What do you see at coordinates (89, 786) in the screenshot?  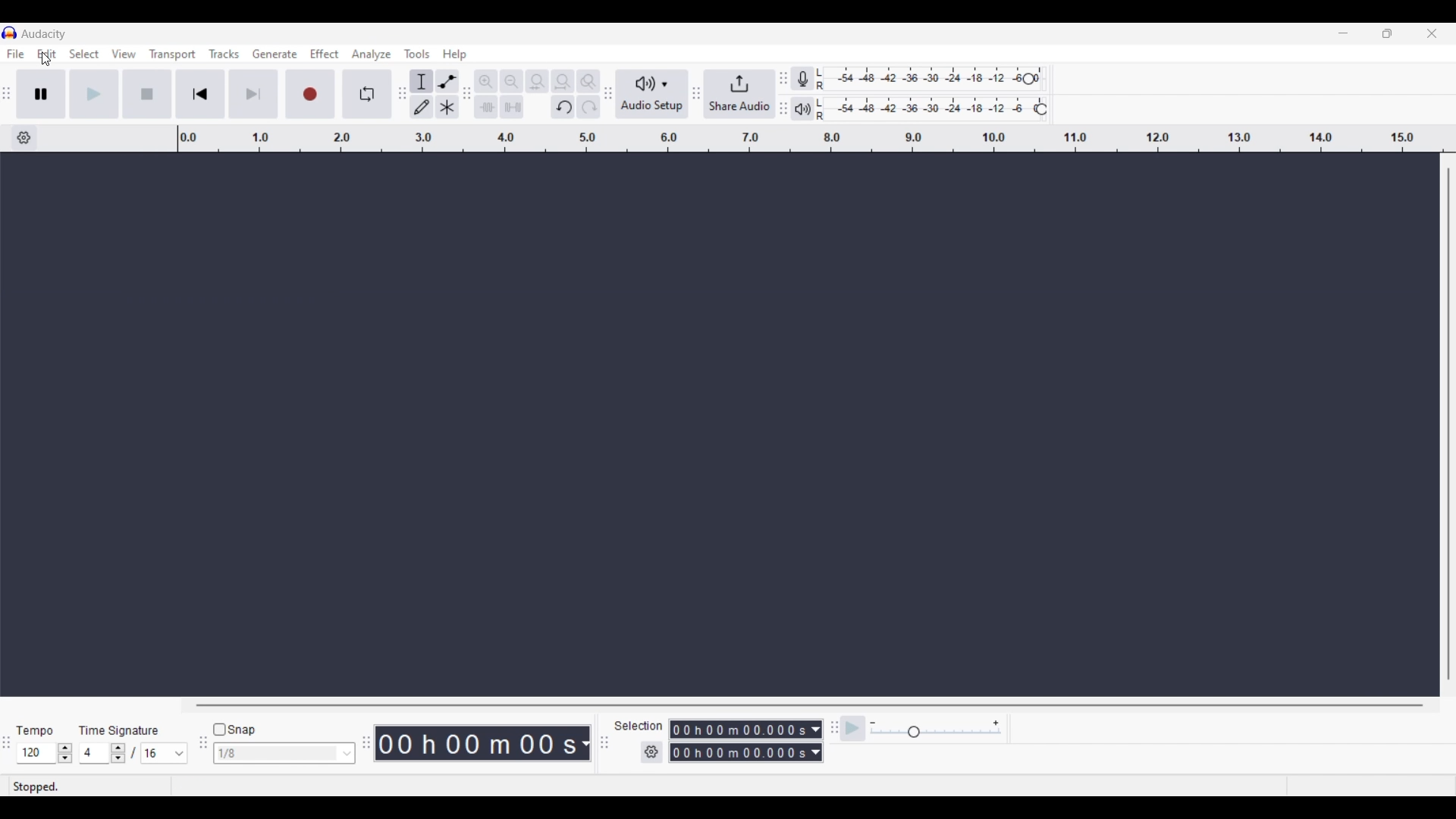 I see `Status of recording` at bounding box center [89, 786].